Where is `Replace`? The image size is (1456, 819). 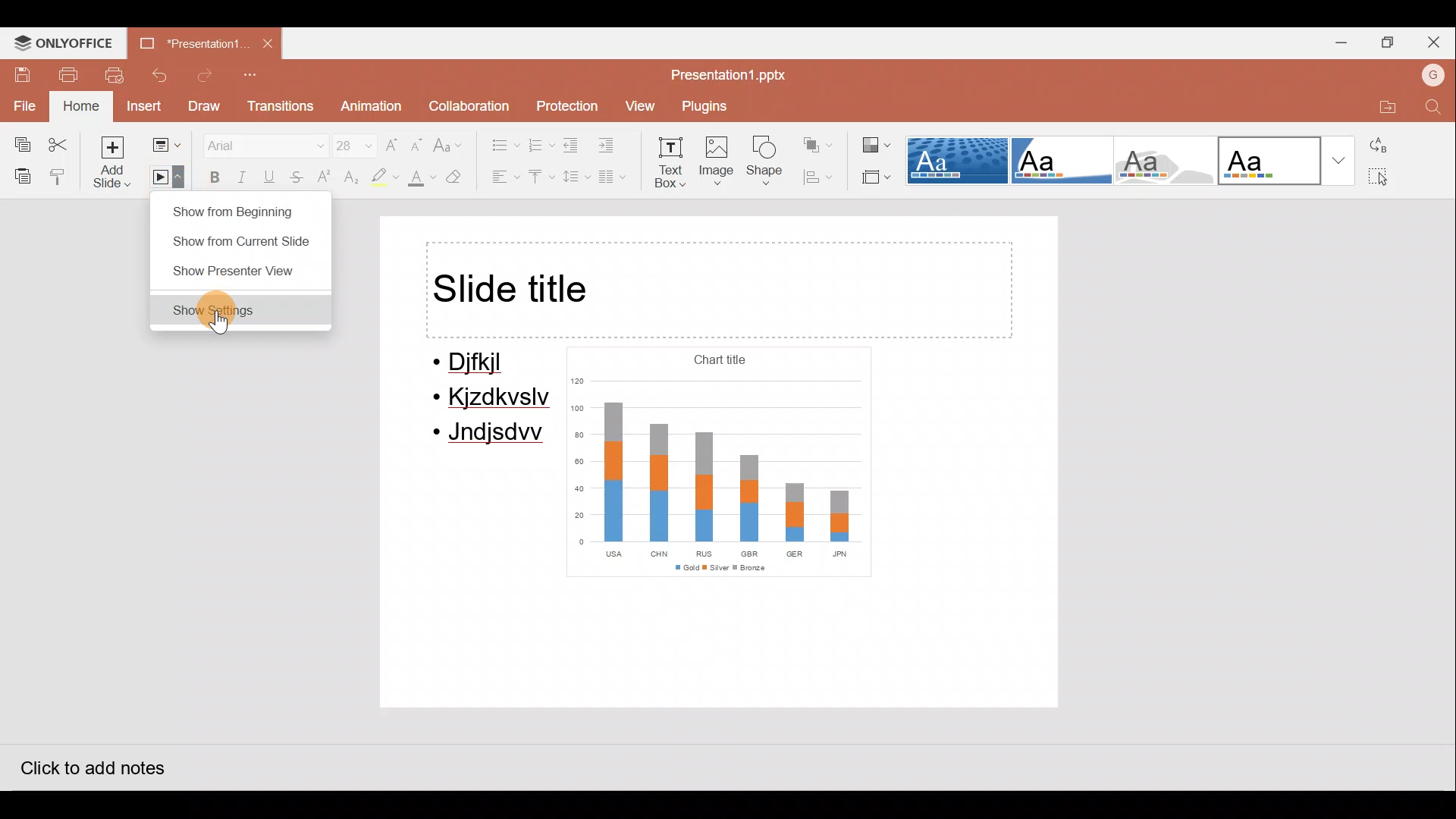 Replace is located at coordinates (1387, 149).